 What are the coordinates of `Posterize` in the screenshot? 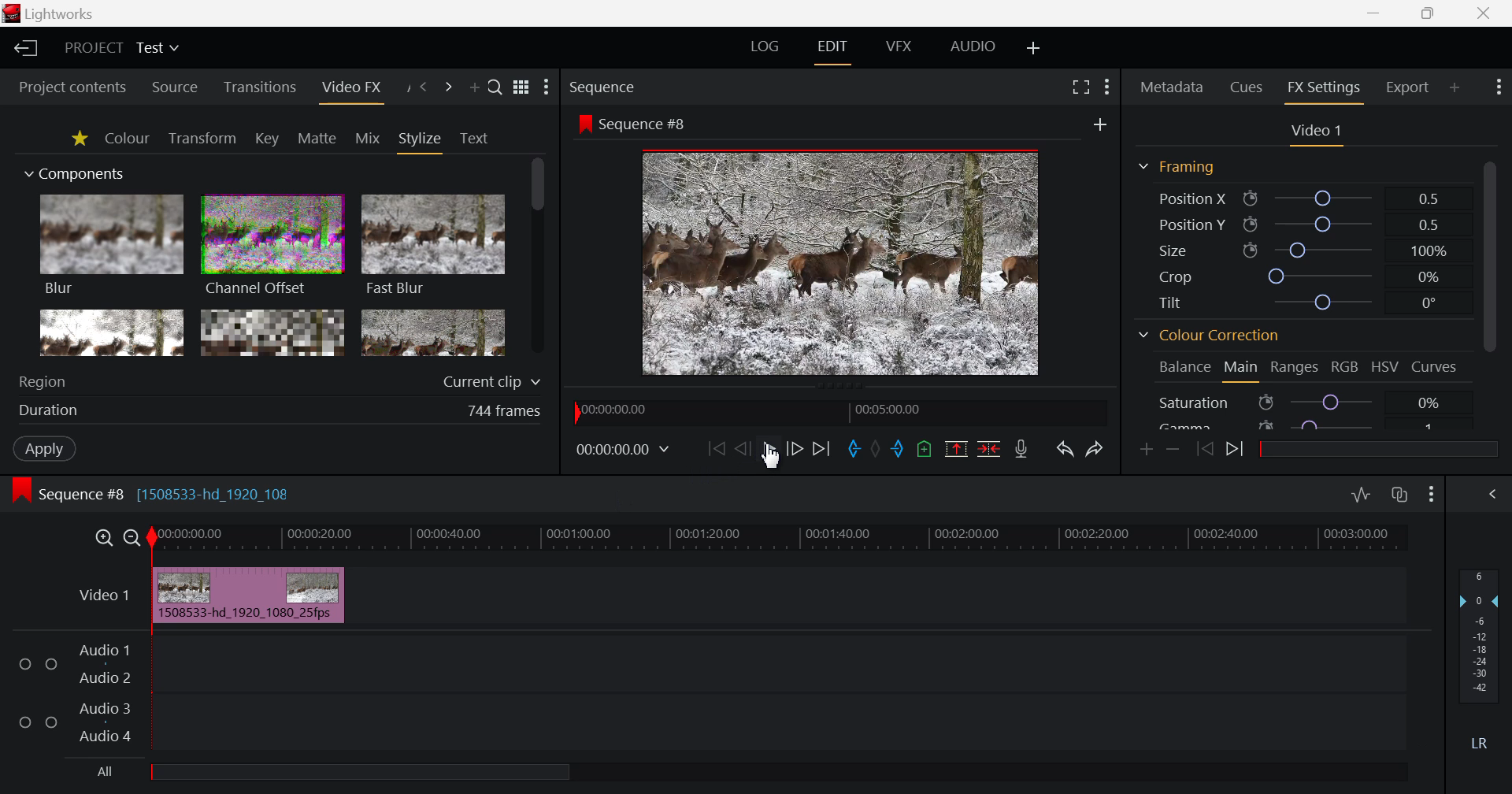 It's located at (433, 335).